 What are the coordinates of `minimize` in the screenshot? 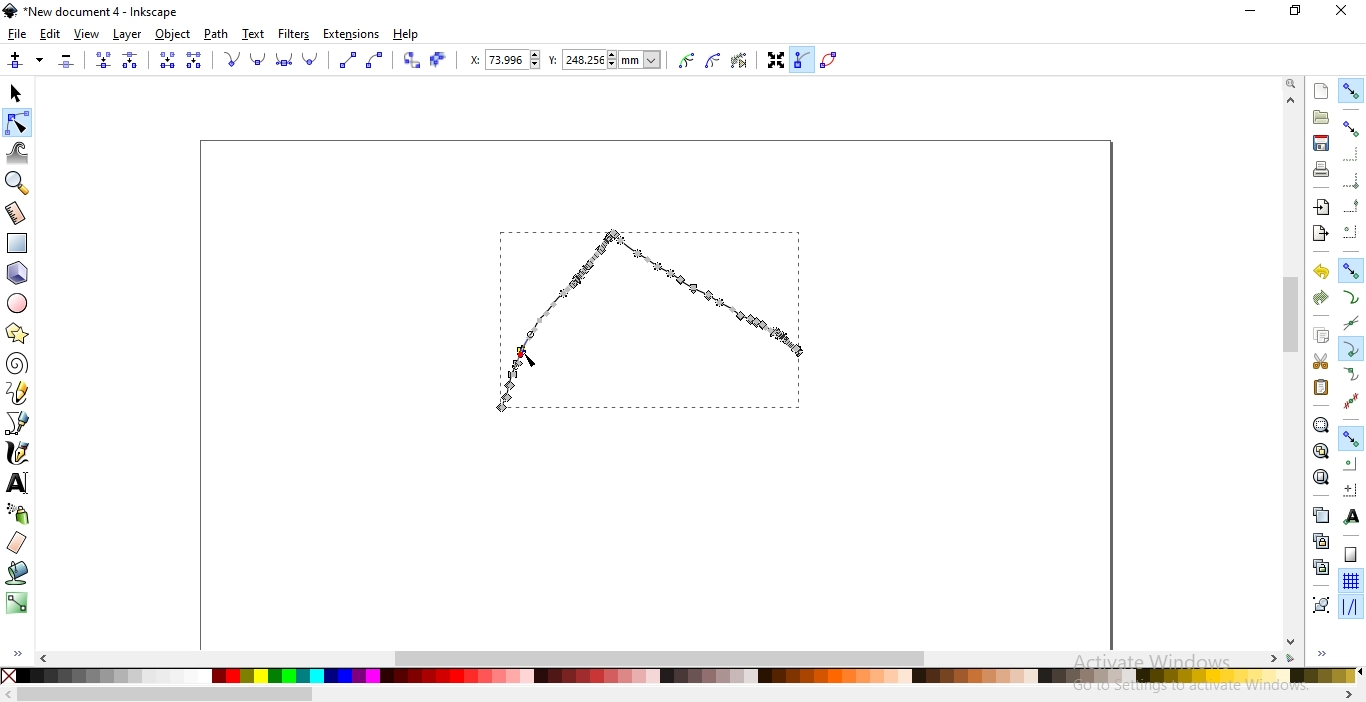 It's located at (1252, 9).